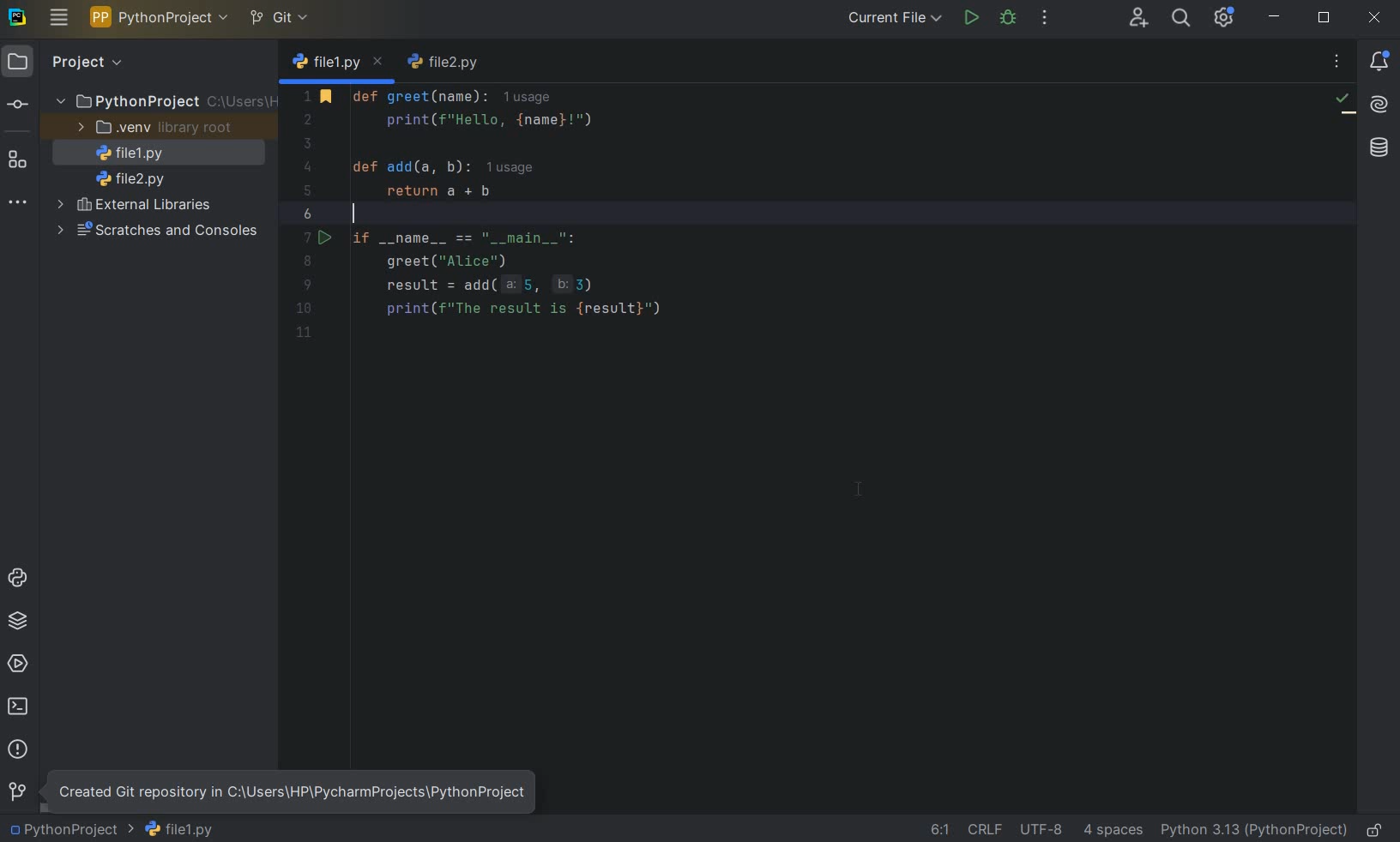 This screenshot has width=1400, height=842. Describe the element at coordinates (1182, 17) in the screenshot. I see `search everywhere` at that location.